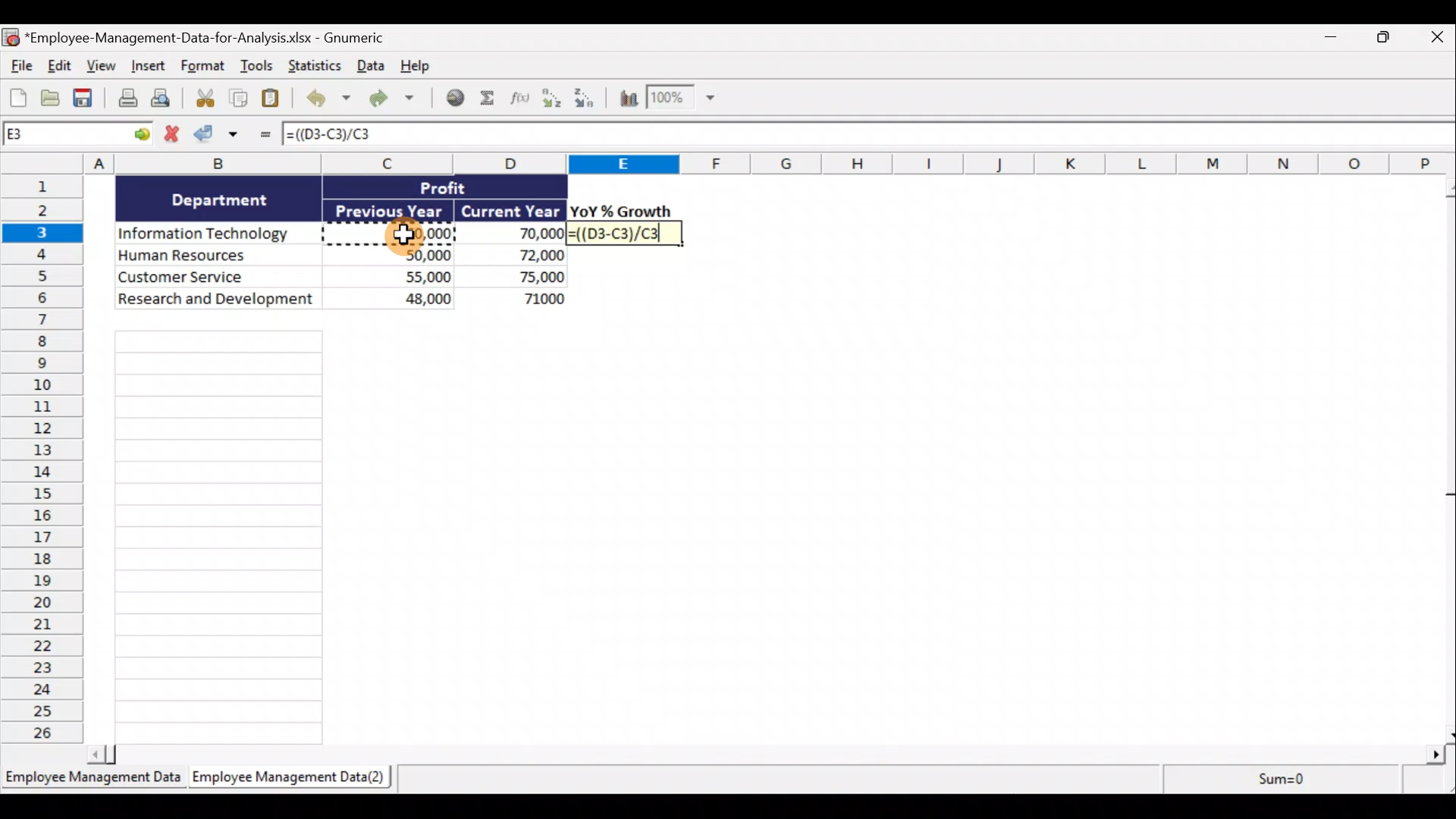 The image size is (1456, 819). What do you see at coordinates (284, 778) in the screenshot?
I see `Sheet 2` at bounding box center [284, 778].